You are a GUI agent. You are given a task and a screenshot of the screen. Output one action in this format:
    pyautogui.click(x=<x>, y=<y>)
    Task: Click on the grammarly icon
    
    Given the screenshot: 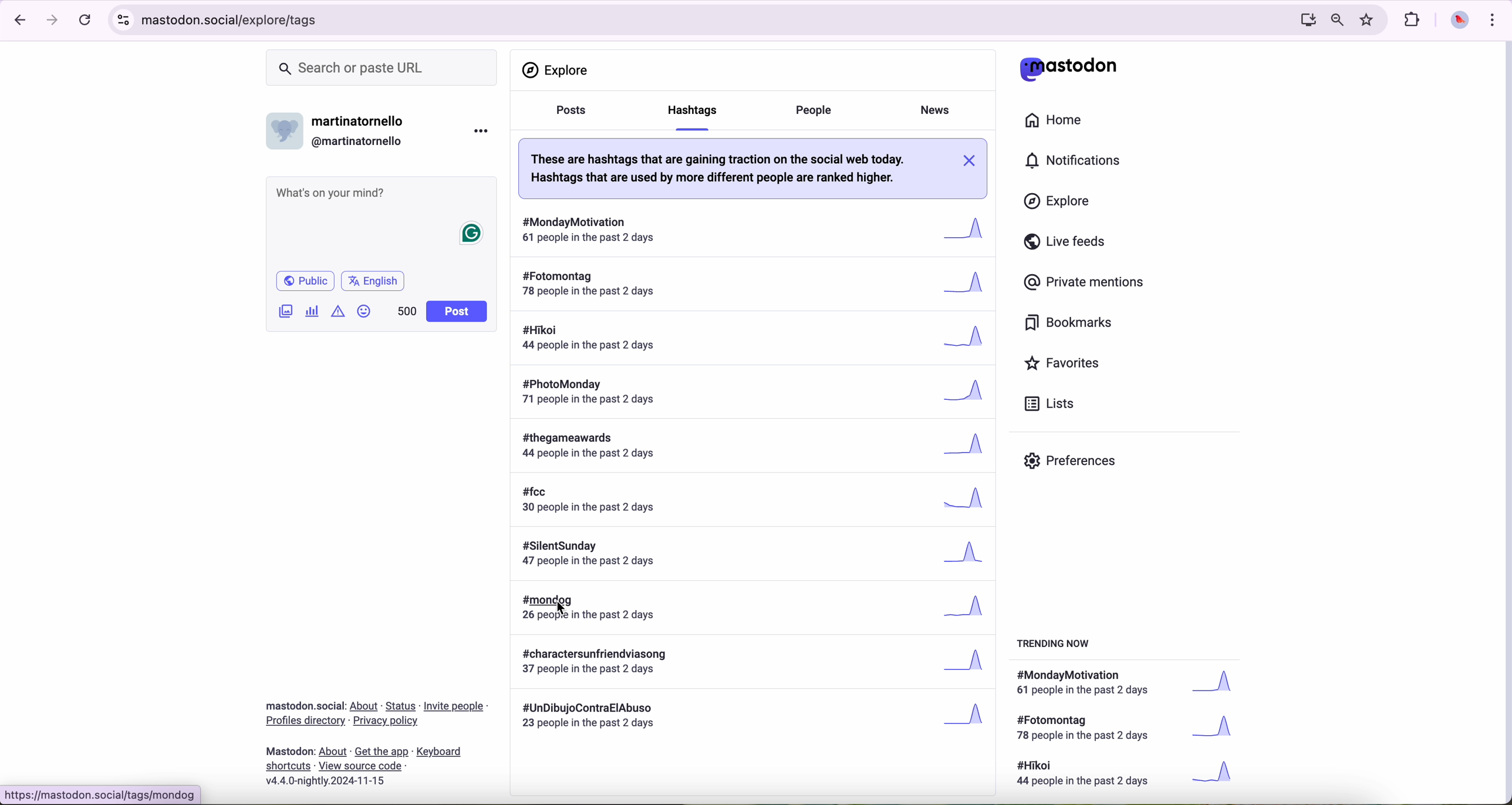 What is the action you would take?
    pyautogui.click(x=473, y=234)
    